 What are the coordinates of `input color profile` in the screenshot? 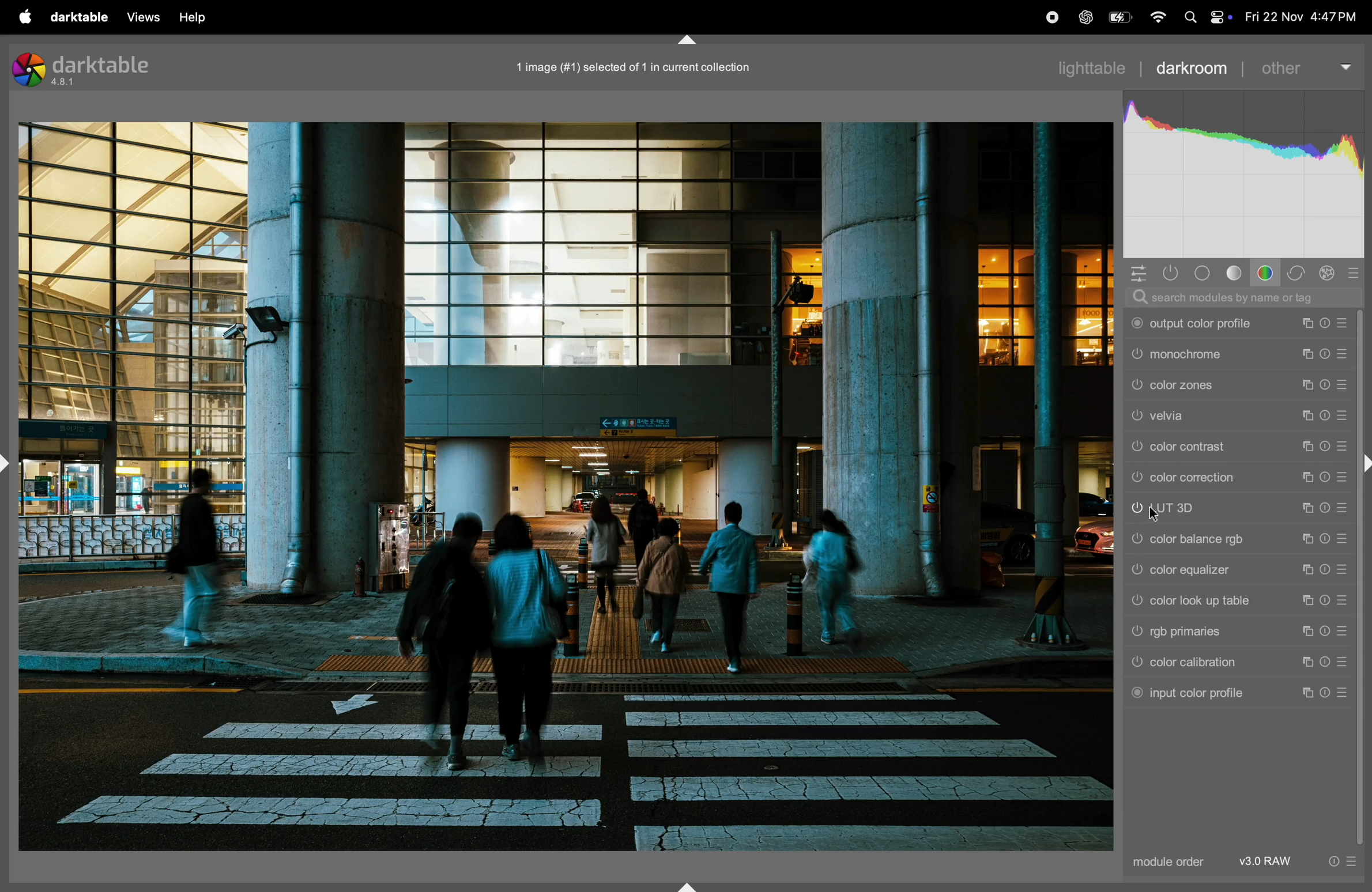 It's located at (1217, 694).